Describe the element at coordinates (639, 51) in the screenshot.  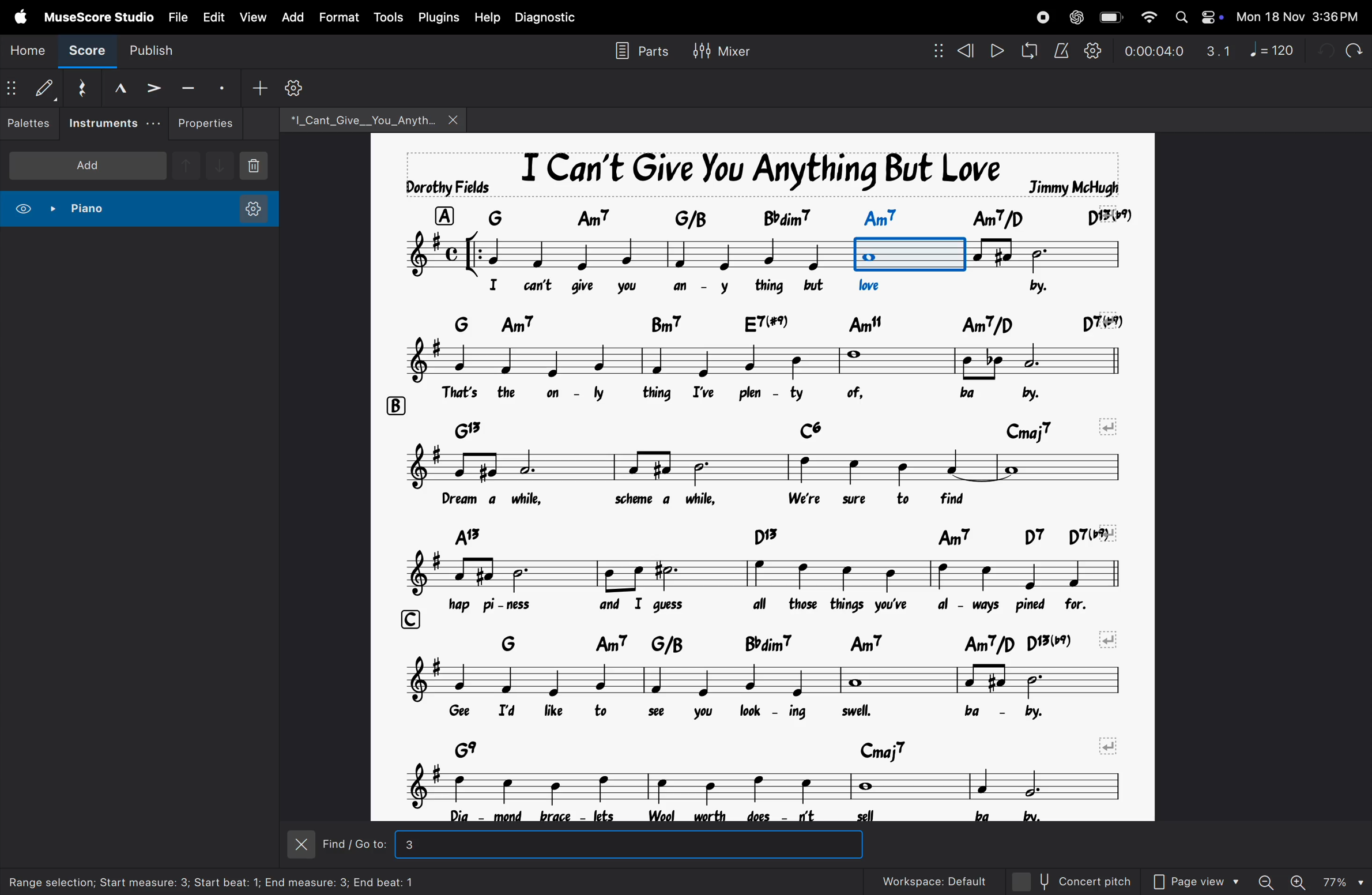
I see `parts` at that location.